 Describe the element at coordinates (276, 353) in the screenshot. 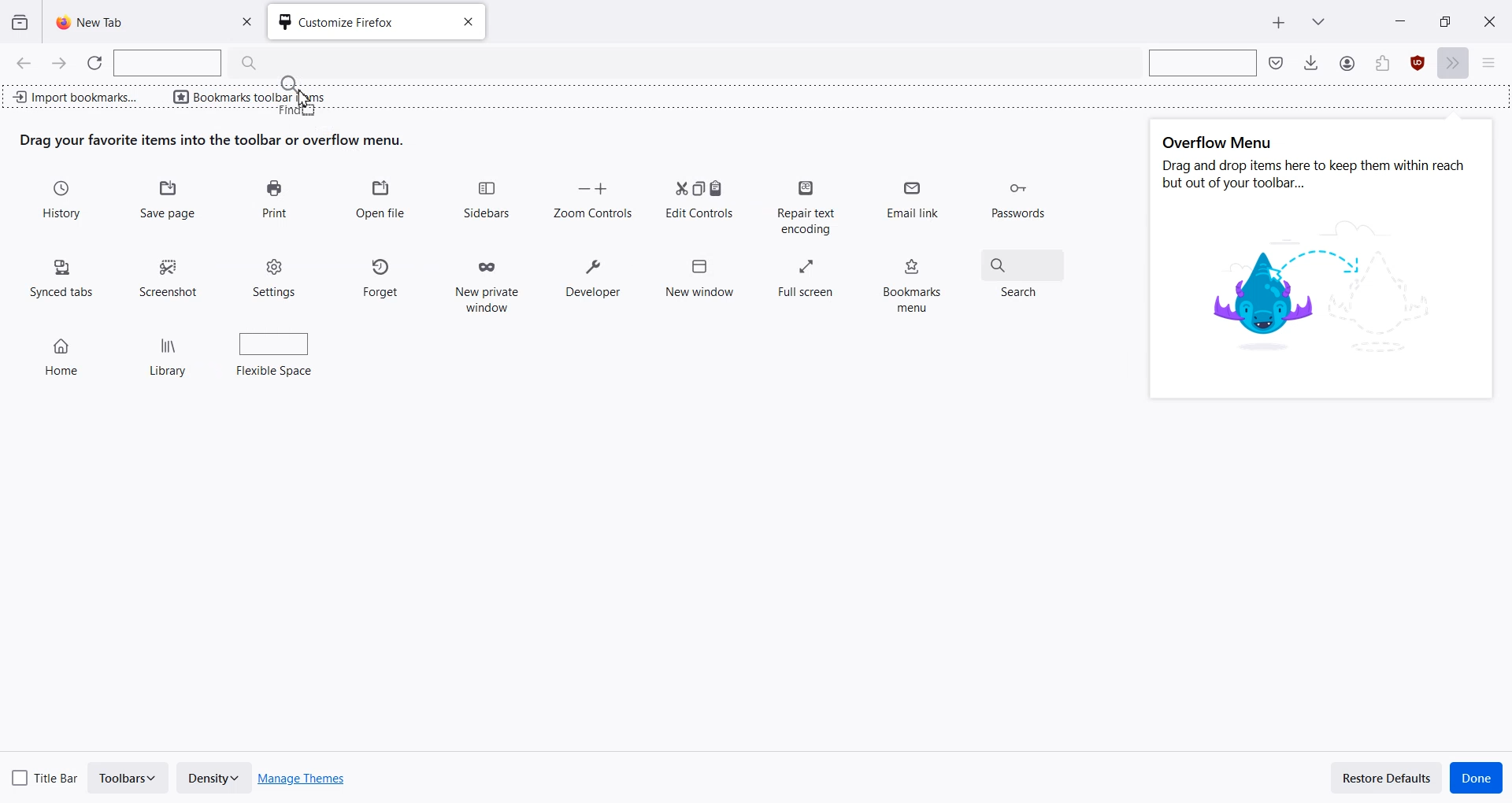

I see `Flexible Space` at that location.